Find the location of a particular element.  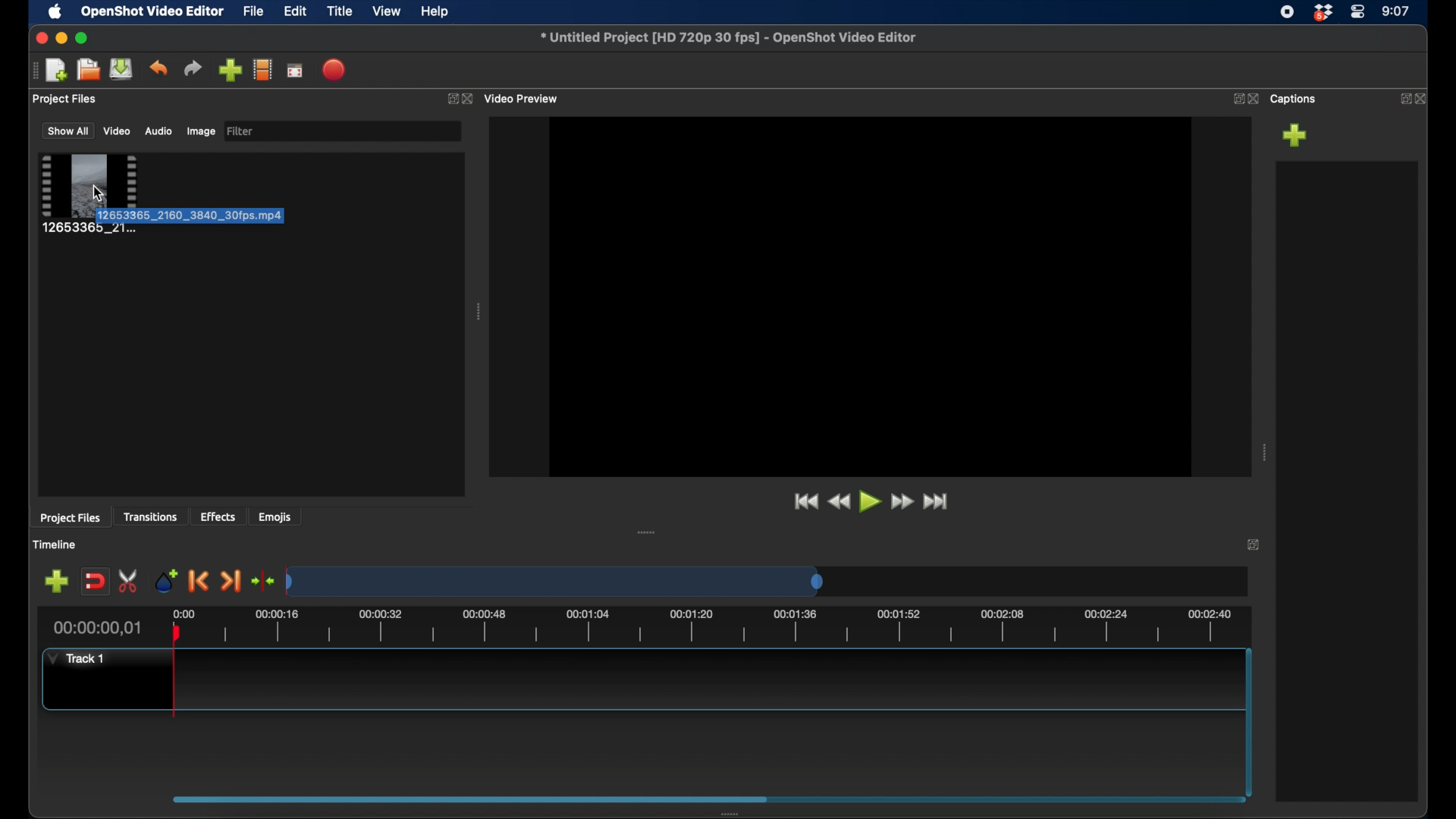

undo is located at coordinates (159, 67).